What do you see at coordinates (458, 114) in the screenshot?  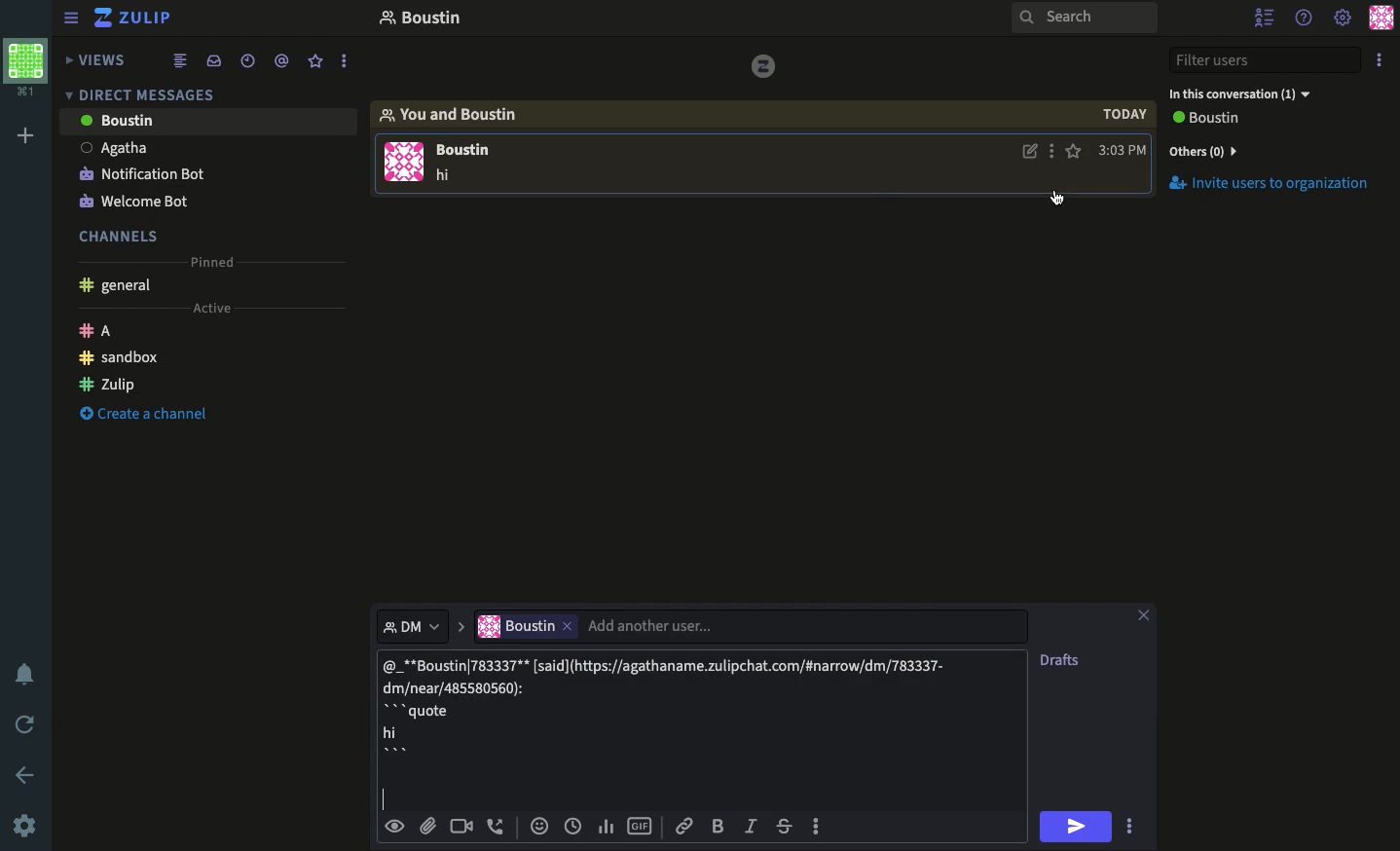 I see `You and user` at bounding box center [458, 114].